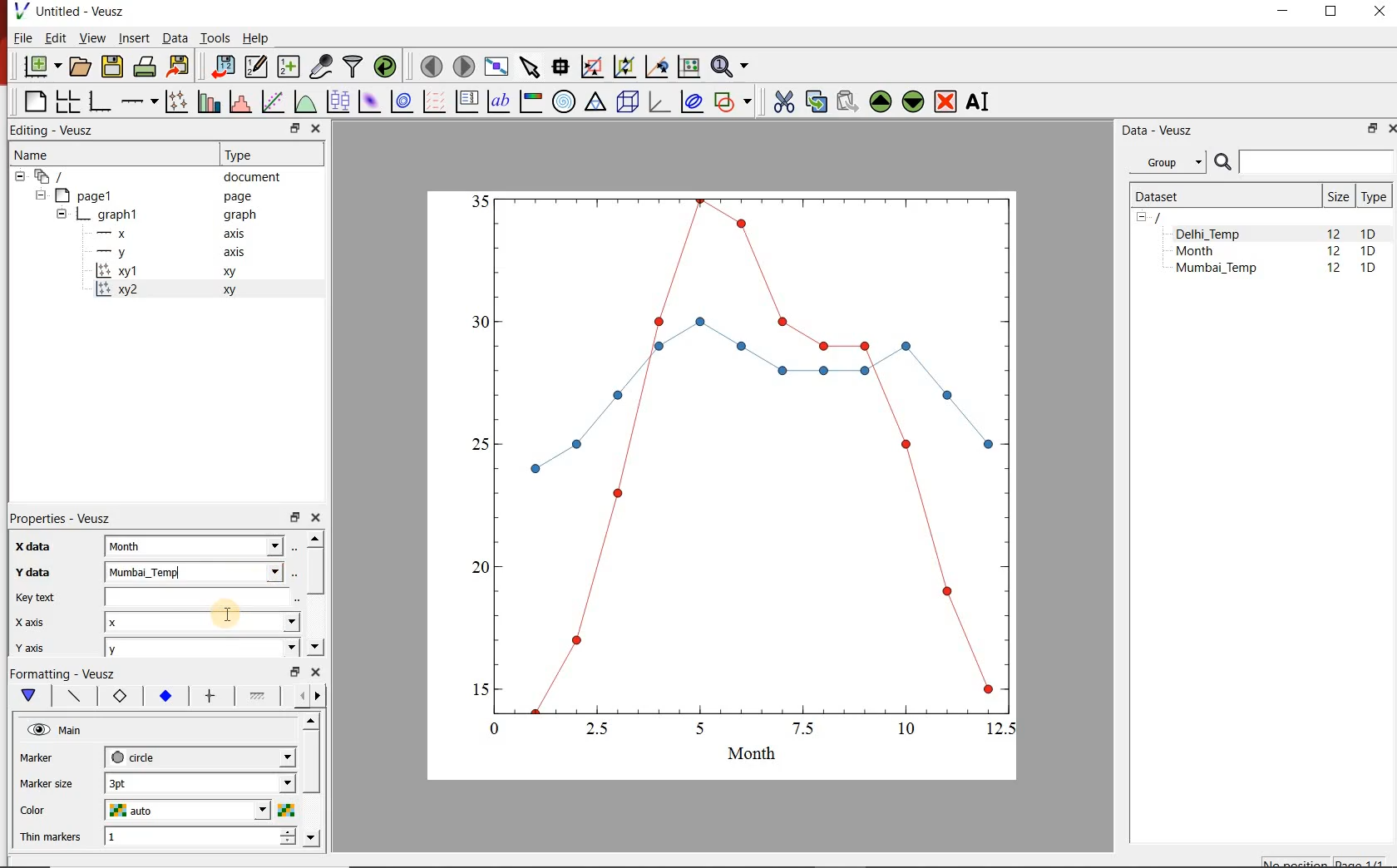 This screenshot has height=868, width=1397. I want to click on 1D, so click(1369, 234).